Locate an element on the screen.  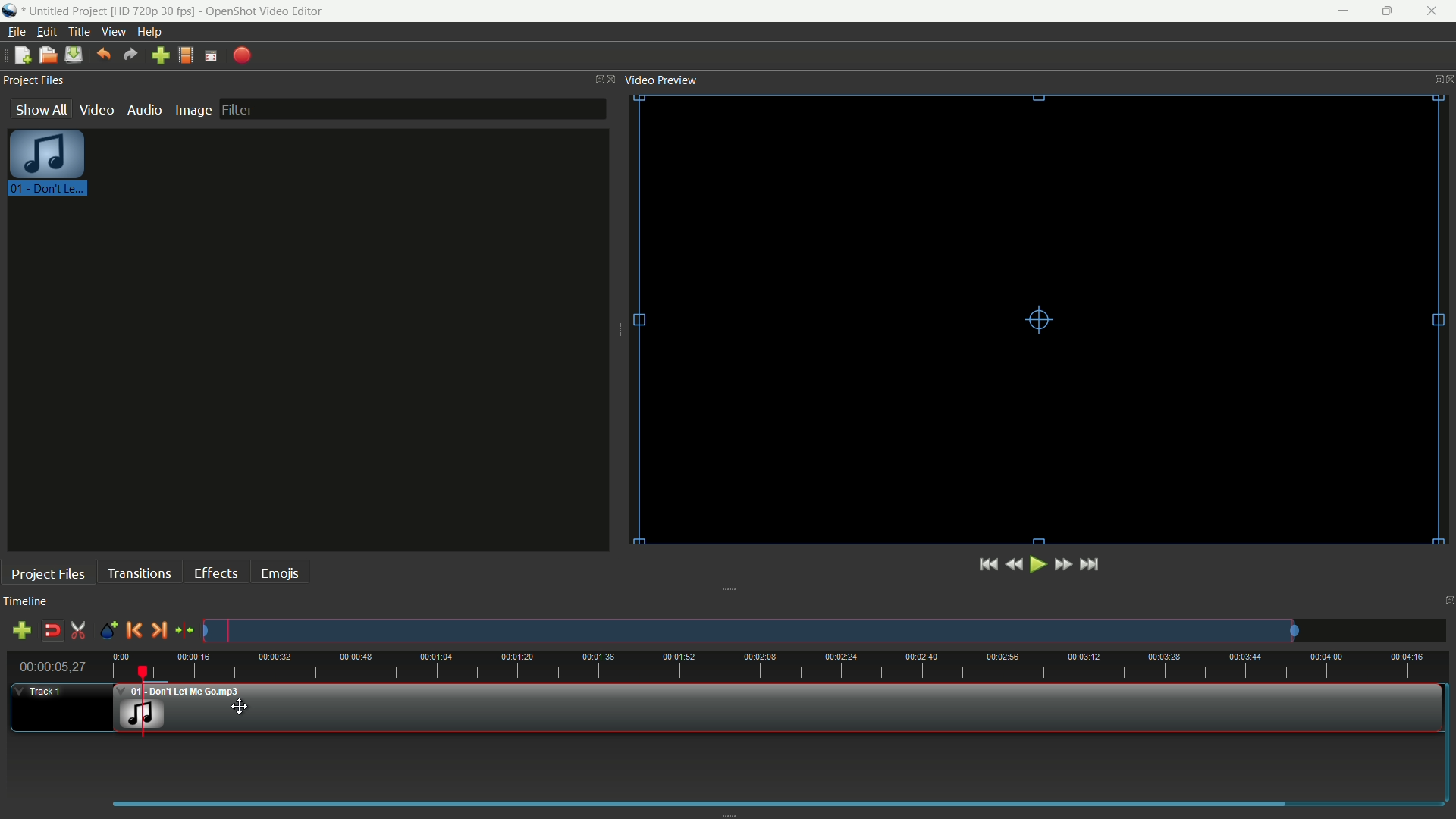
app name is located at coordinates (265, 11).